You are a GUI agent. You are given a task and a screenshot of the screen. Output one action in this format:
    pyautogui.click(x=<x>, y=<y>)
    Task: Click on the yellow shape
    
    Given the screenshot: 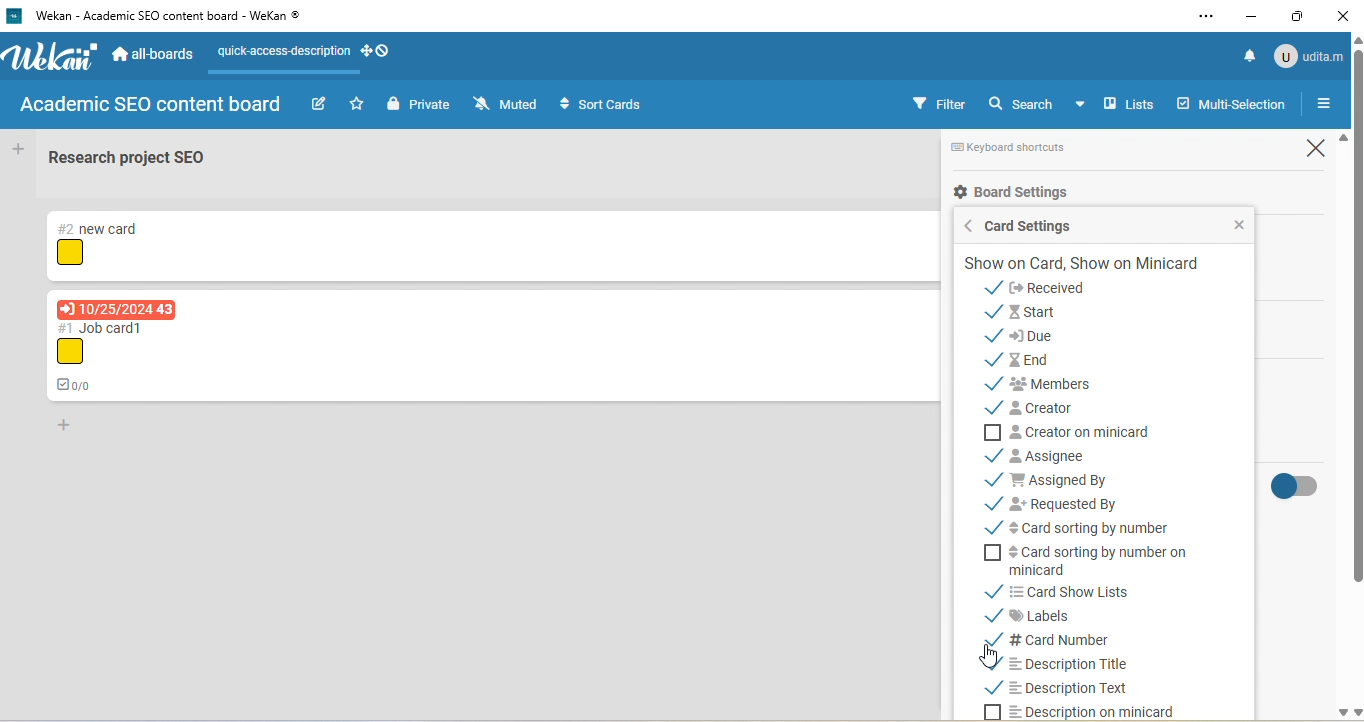 What is the action you would take?
    pyautogui.click(x=72, y=254)
    